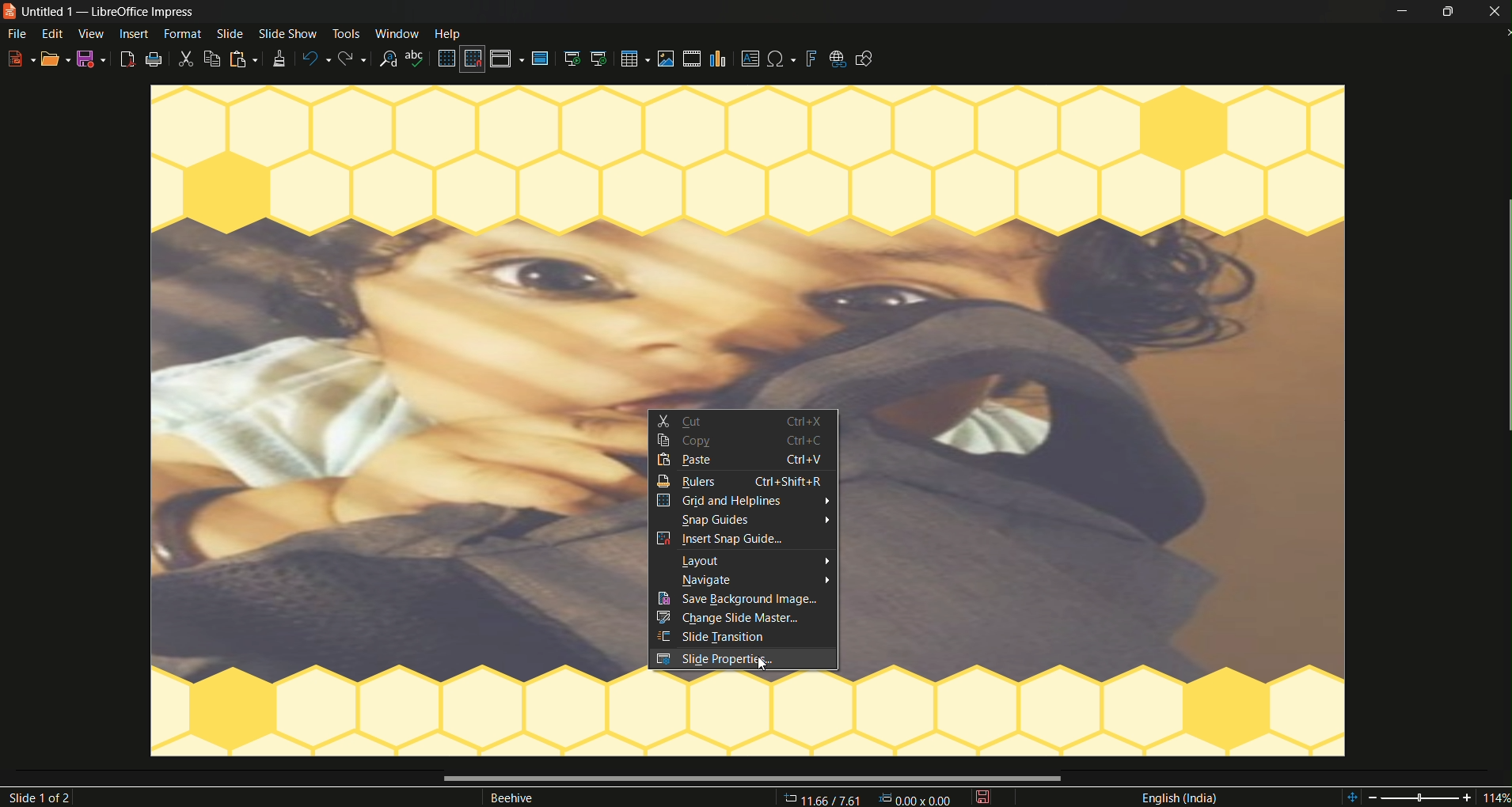 This screenshot has width=1512, height=807. I want to click on scrollbar, so click(1503, 317).